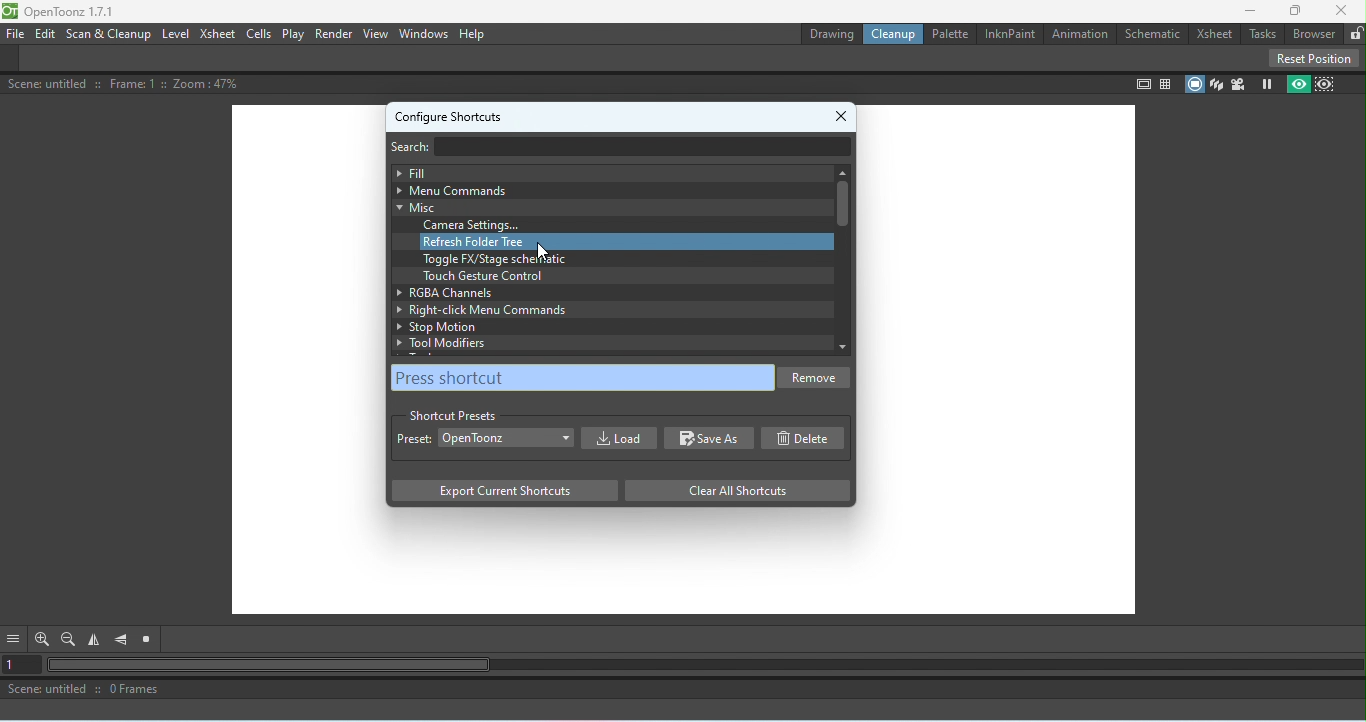 The width and height of the screenshot is (1366, 722). Describe the element at coordinates (1077, 31) in the screenshot. I see `Animation` at that location.